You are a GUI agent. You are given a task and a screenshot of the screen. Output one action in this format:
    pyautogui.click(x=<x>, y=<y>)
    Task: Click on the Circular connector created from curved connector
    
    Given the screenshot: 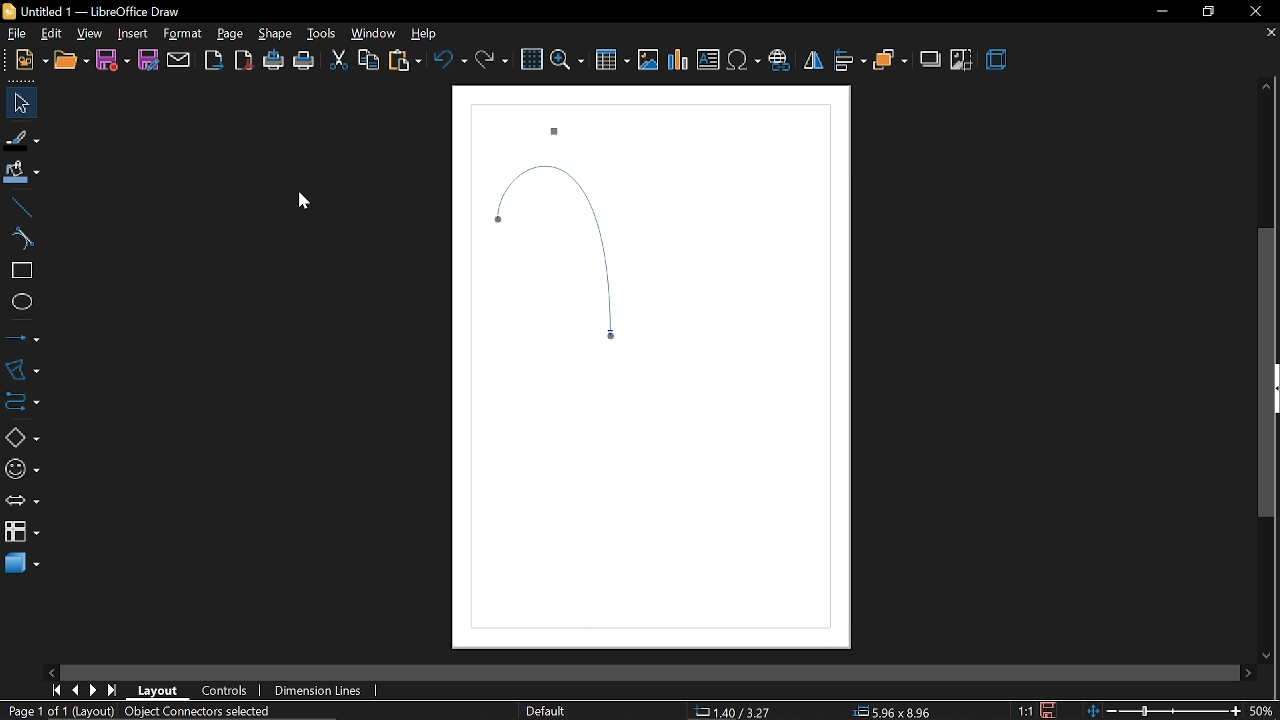 What is the action you would take?
    pyautogui.click(x=565, y=251)
    